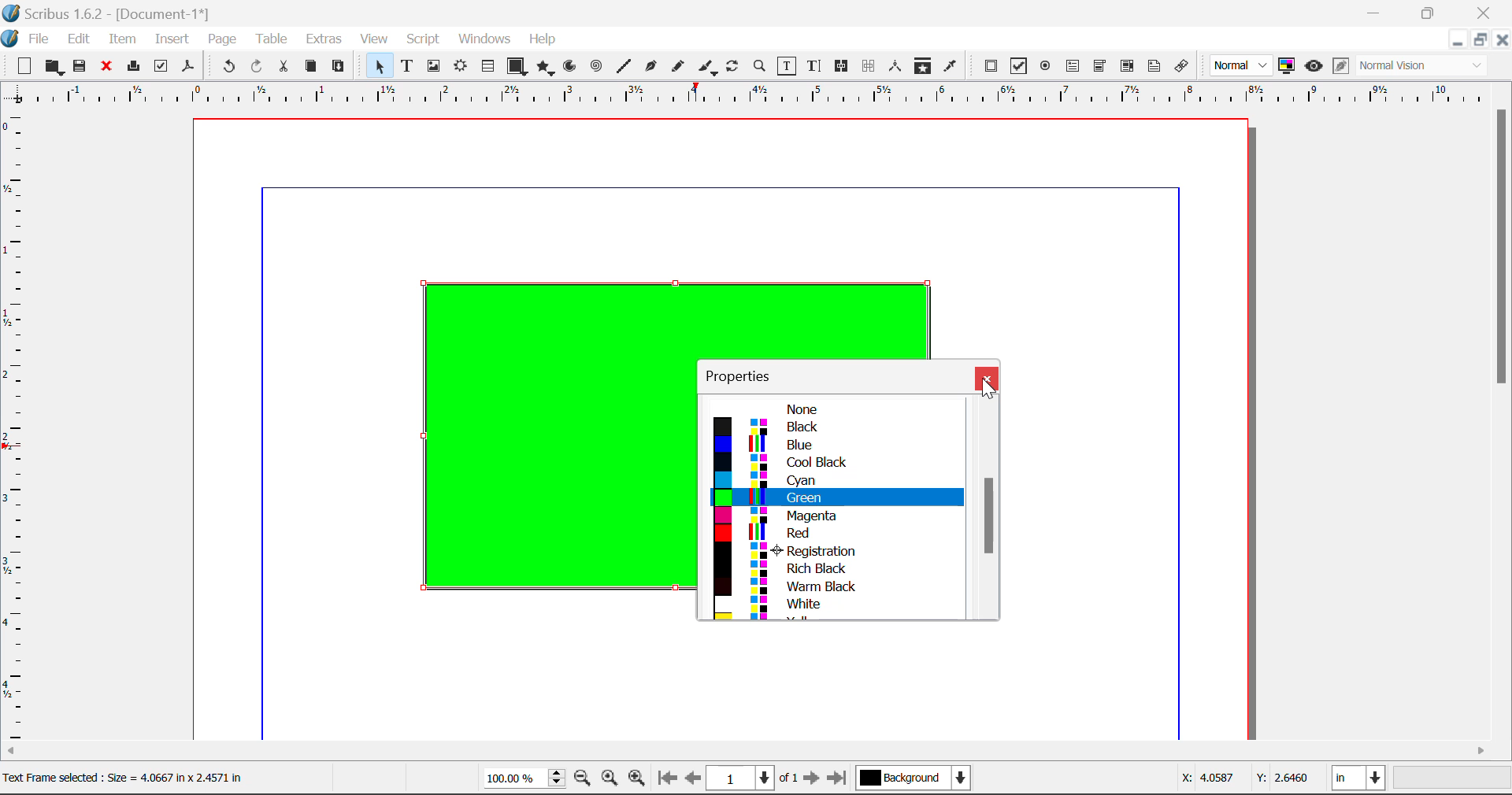 The width and height of the screenshot is (1512, 795). I want to click on Toggle Color Management, so click(1288, 67).